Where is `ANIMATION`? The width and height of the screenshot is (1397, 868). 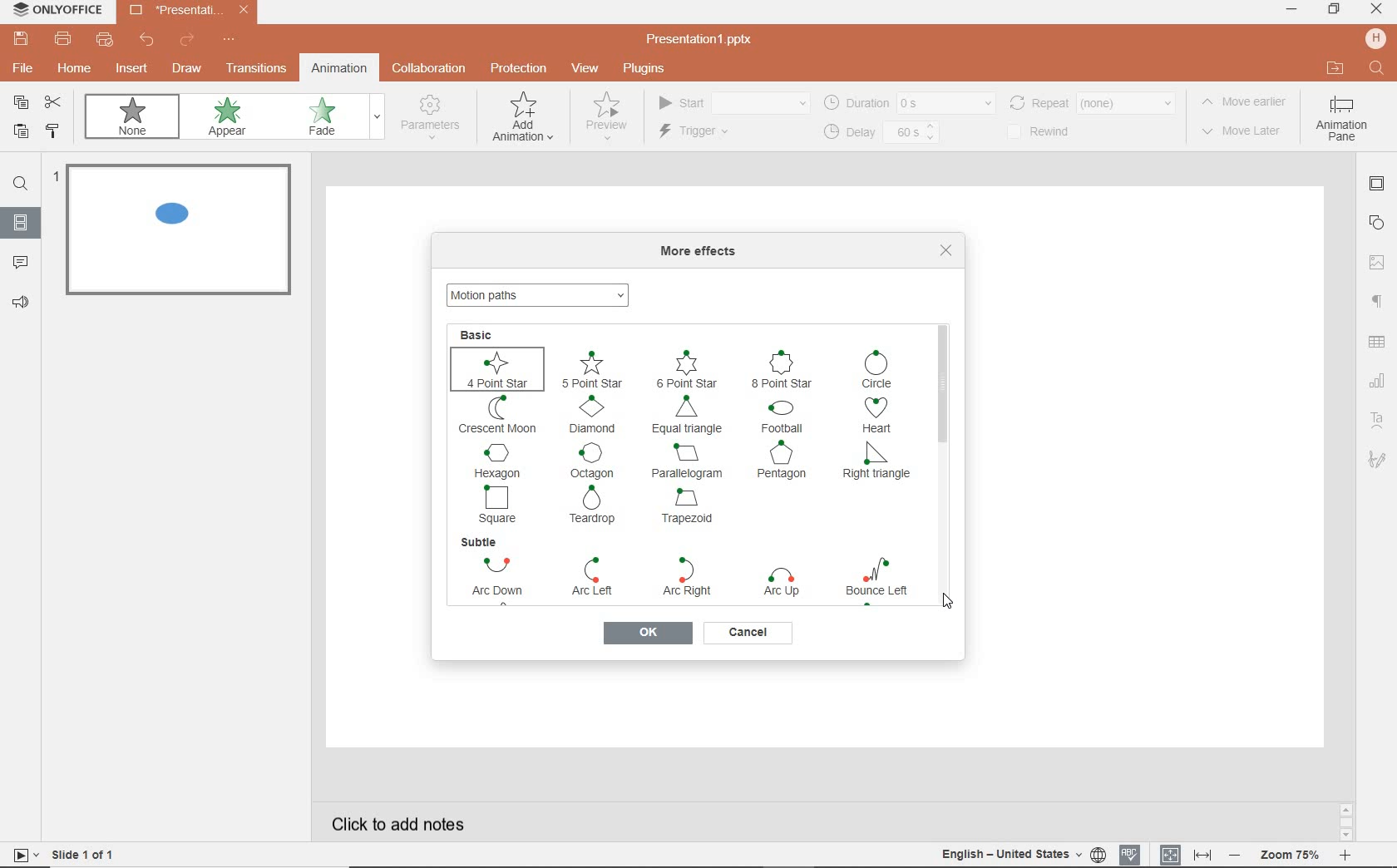 ANIMATION is located at coordinates (523, 121).